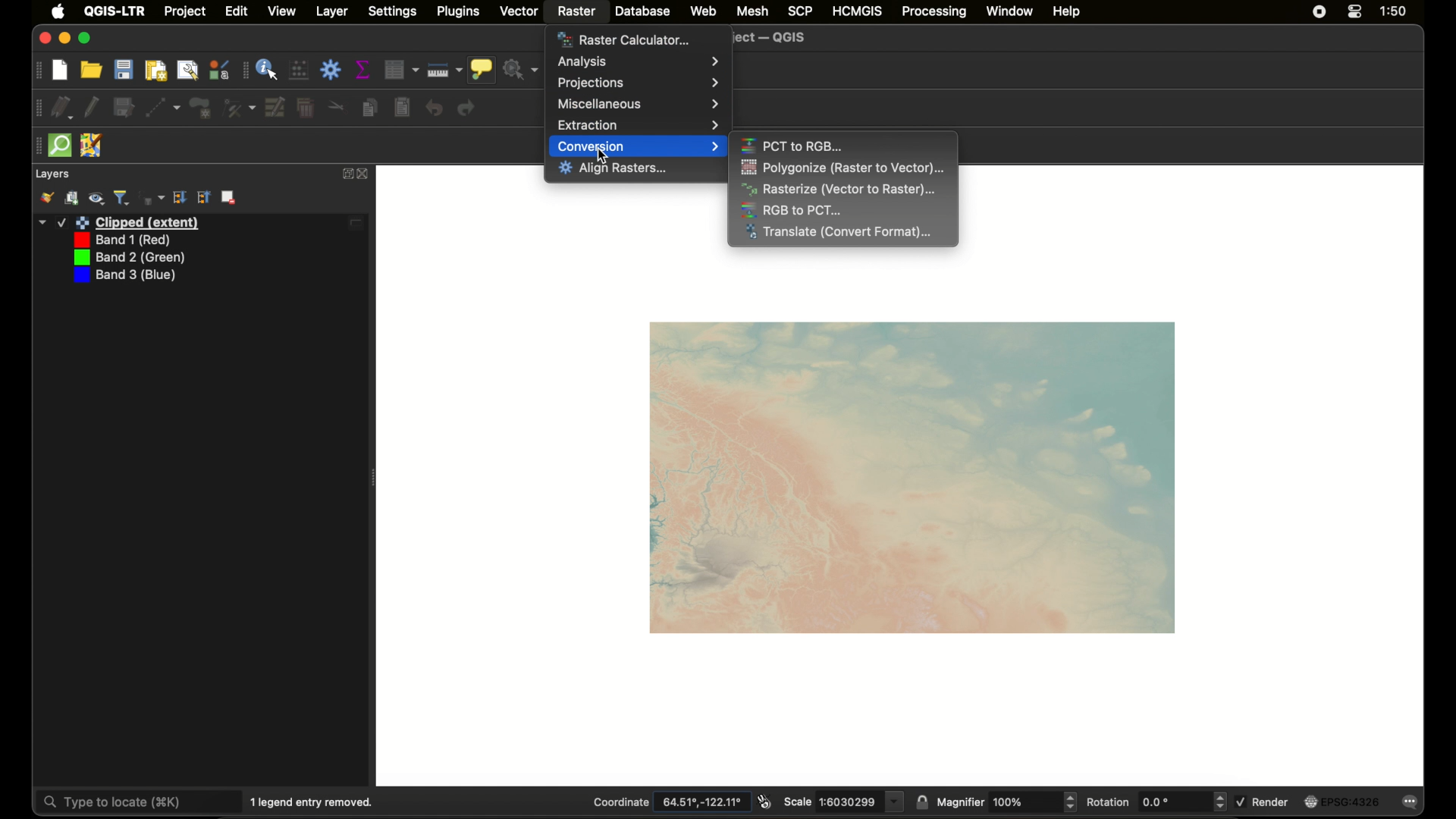 The width and height of the screenshot is (1456, 819). Describe the element at coordinates (63, 108) in the screenshot. I see `current edits` at that location.